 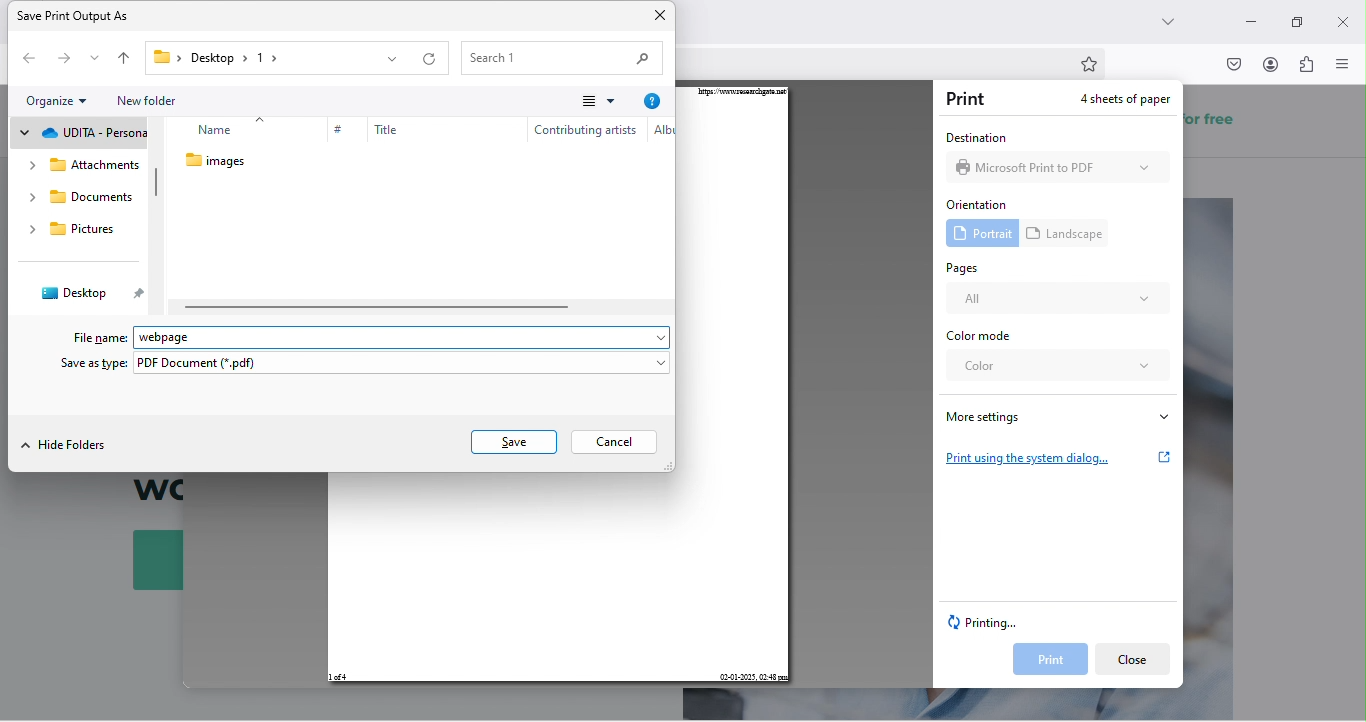 I want to click on images, so click(x=224, y=164).